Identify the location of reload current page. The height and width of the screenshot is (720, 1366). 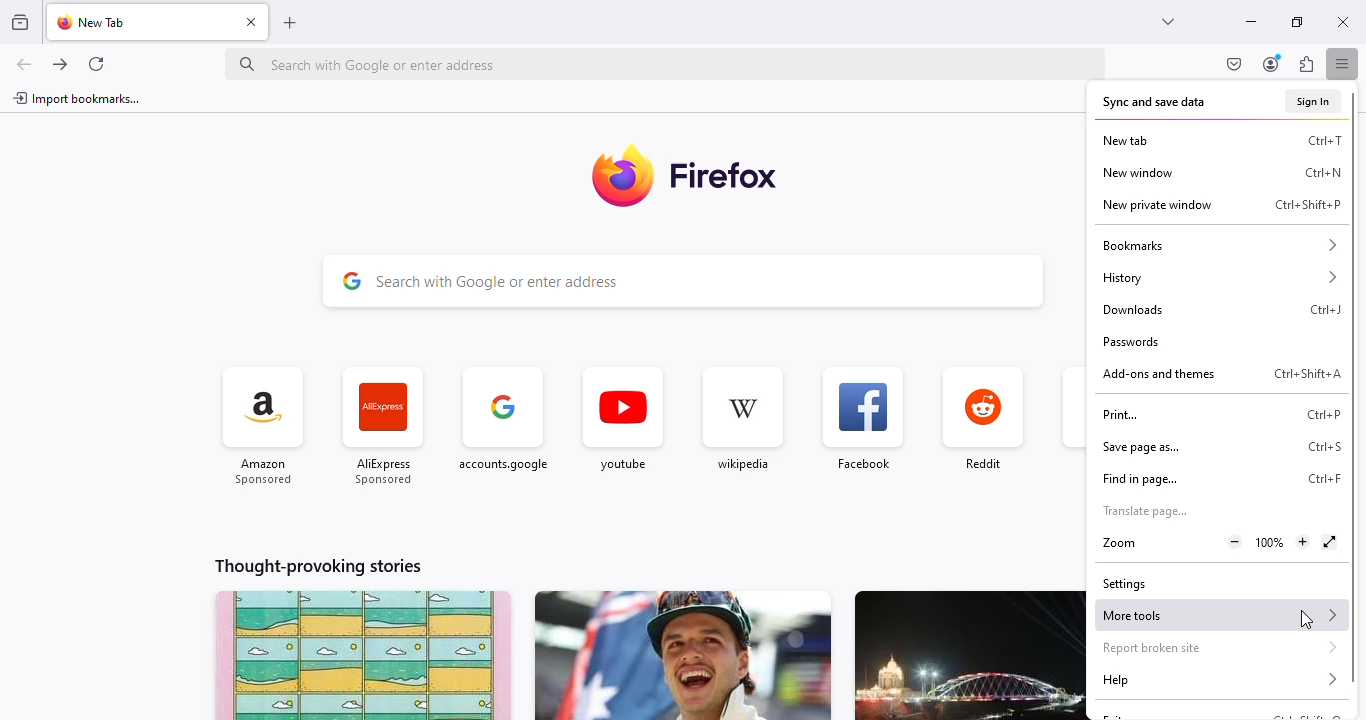
(95, 64).